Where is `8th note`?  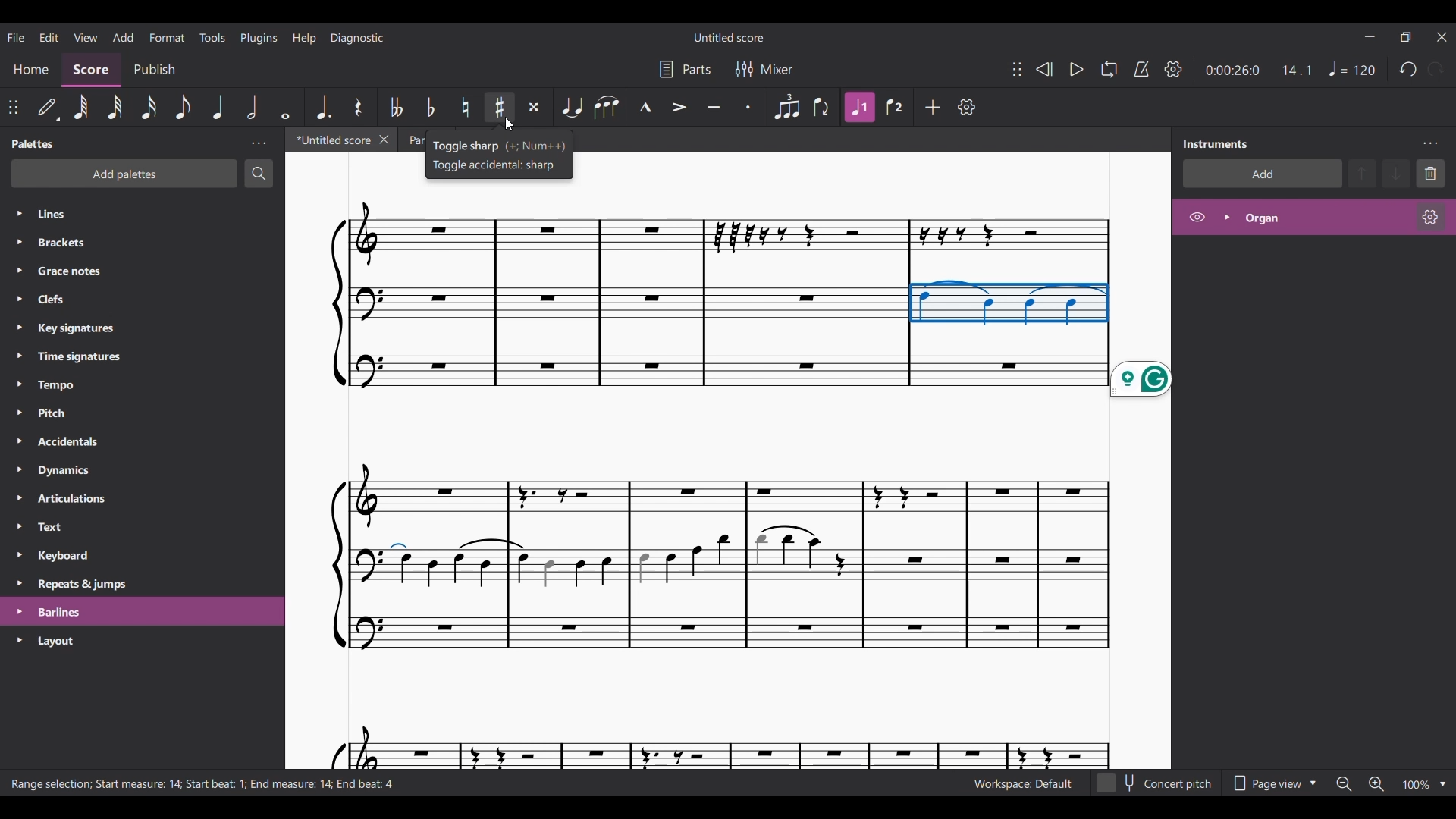 8th note is located at coordinates (183, 107).